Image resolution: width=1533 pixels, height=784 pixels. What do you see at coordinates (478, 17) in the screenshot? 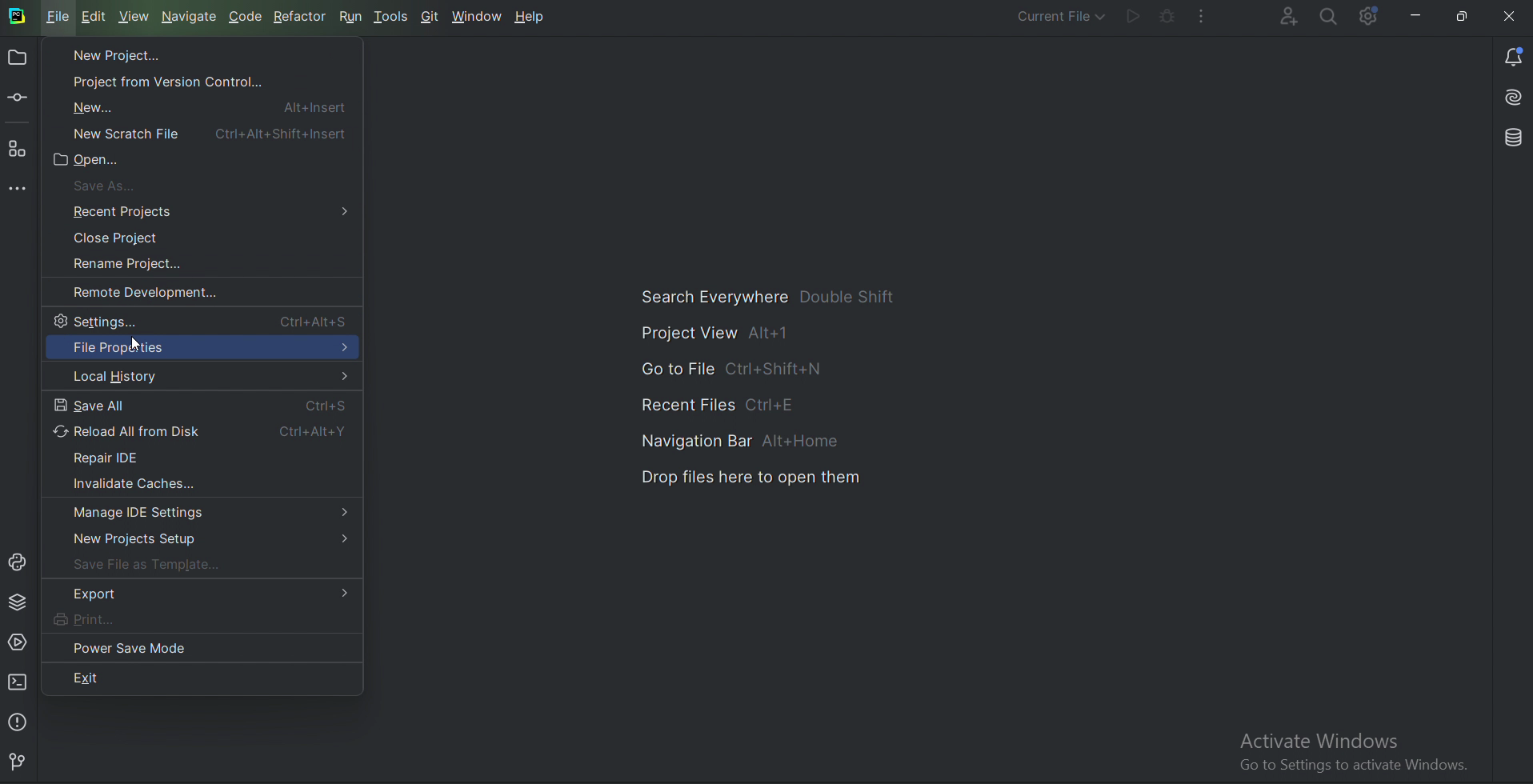
I see `Window` at bounding box center [478, 17].